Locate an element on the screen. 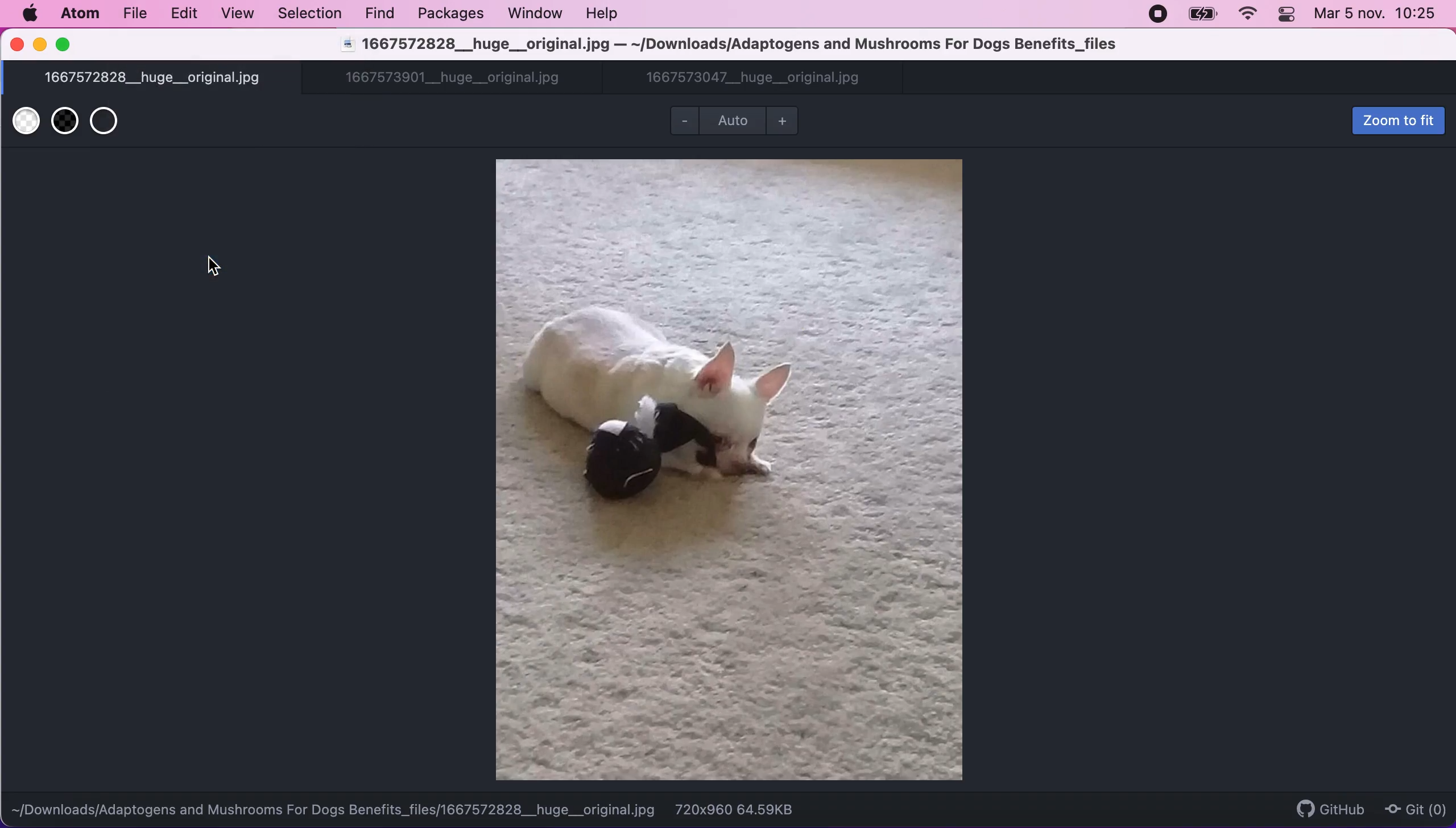 The image size is (1456, 828). use transparent background is located at coordinates (109, 123).